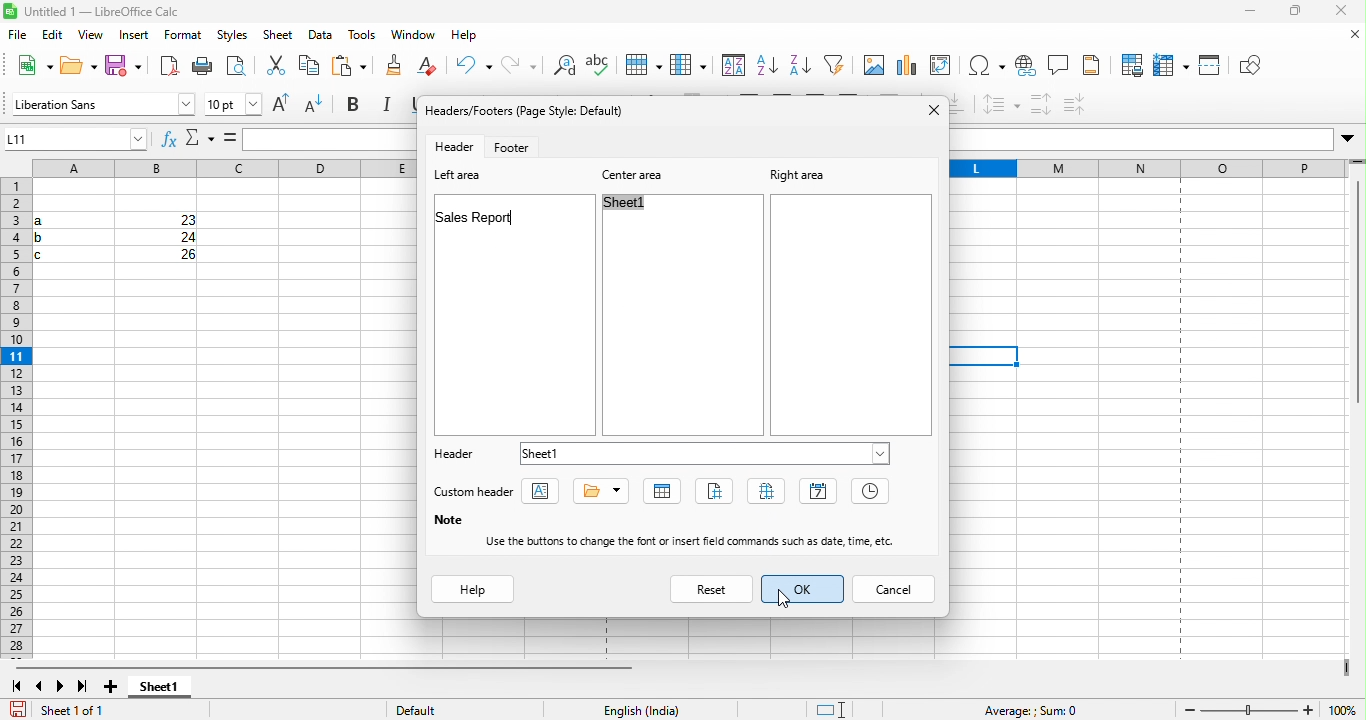 The width and height of the screenshot is (1366, 720). What do you see at coordinates (321, 39) in the screenshot?
I see `data` at bounding box center [321, 39].